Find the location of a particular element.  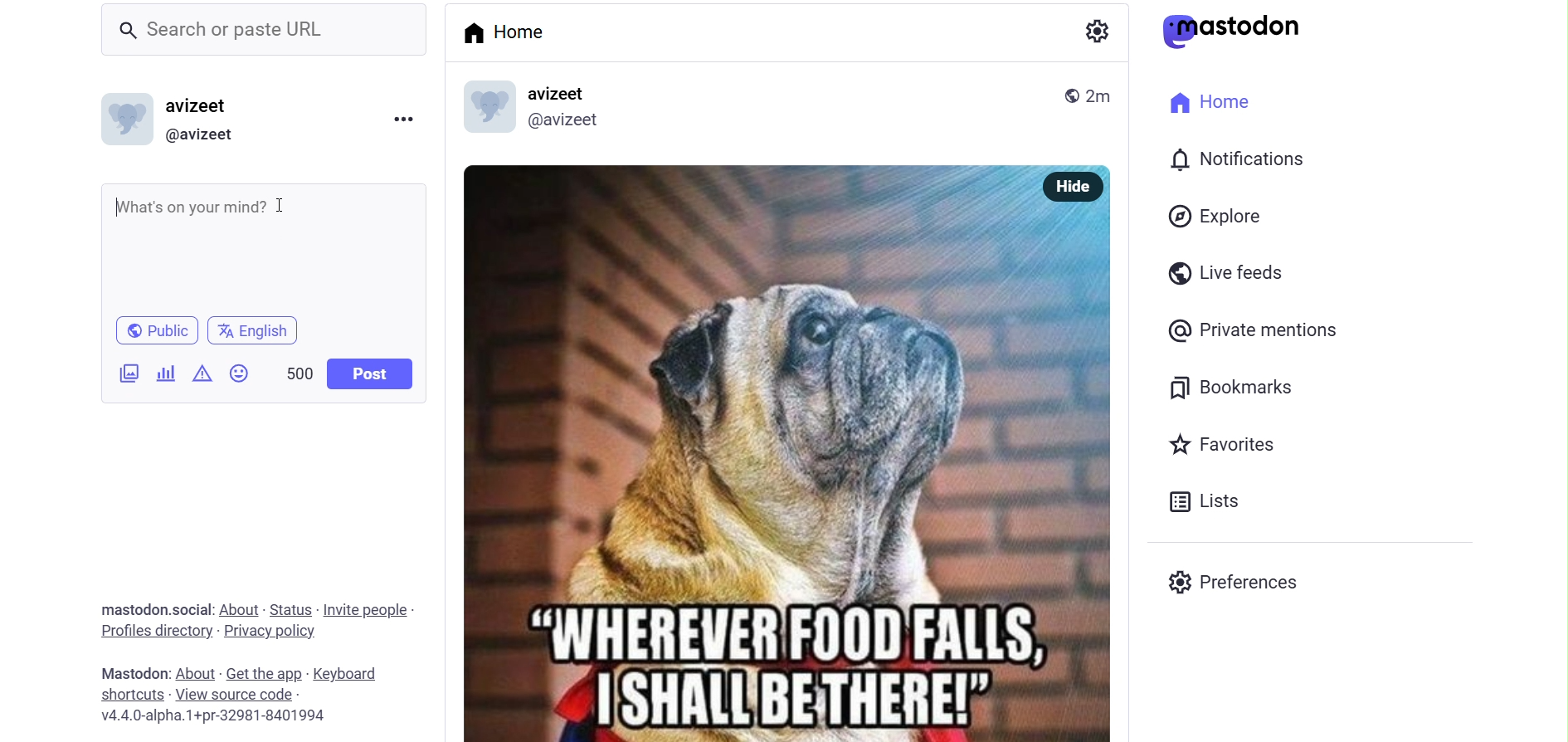

shortcut is located at coordinates (130, 694).